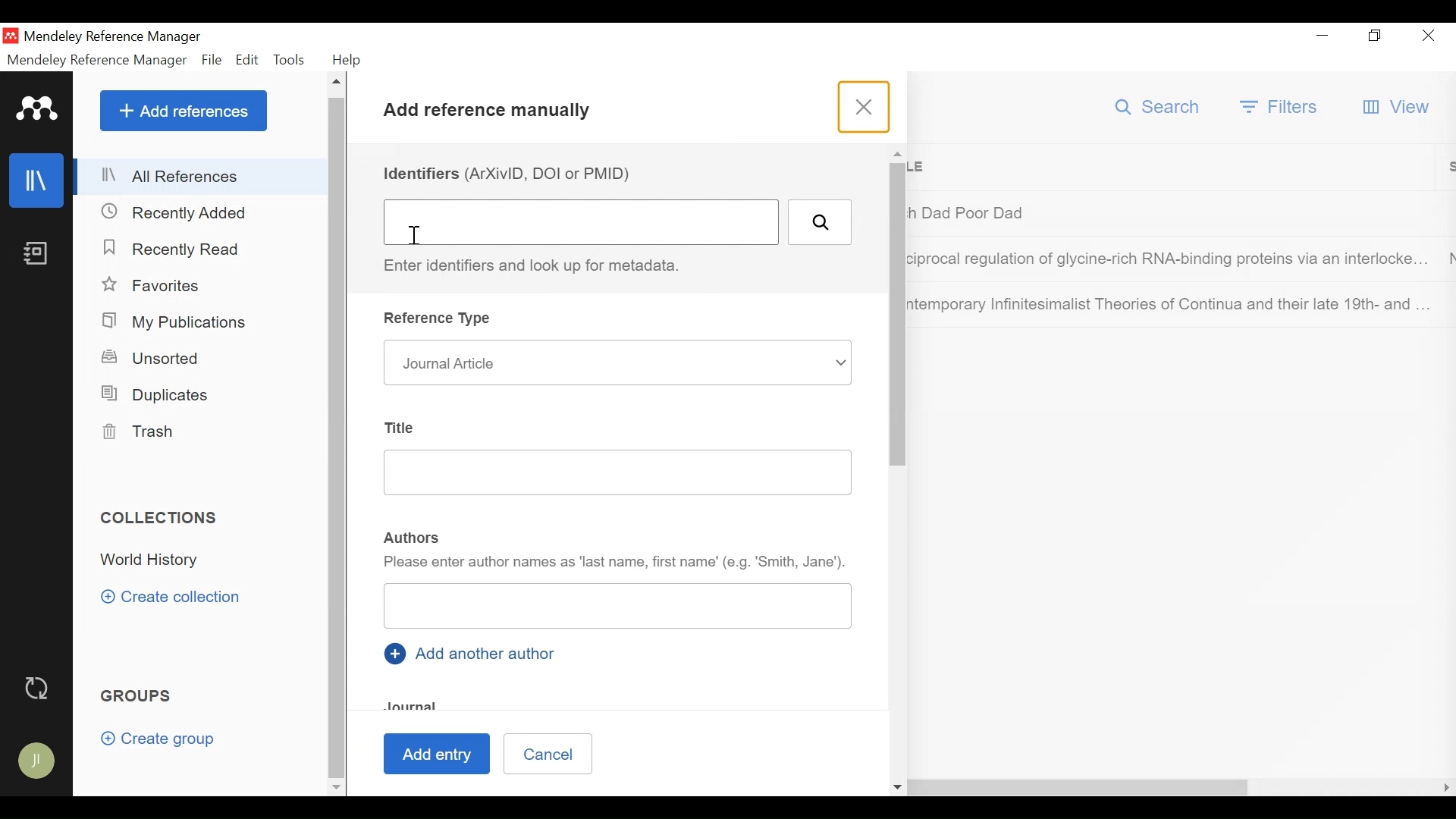  Describe the element at coordinates (422, 237) in the screenshot. I see `cursor` at that location.